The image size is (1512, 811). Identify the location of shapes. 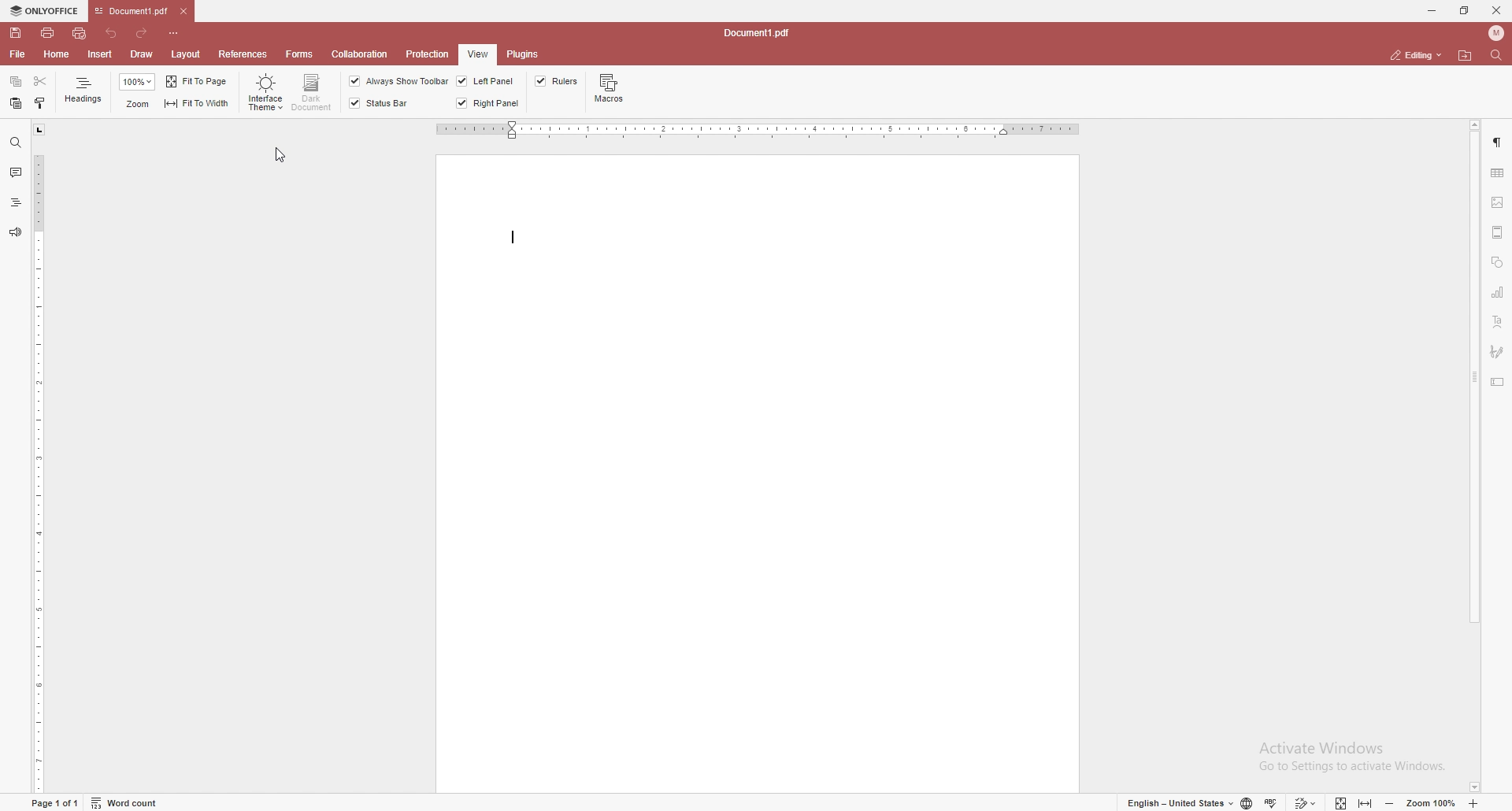
(1497, 262).